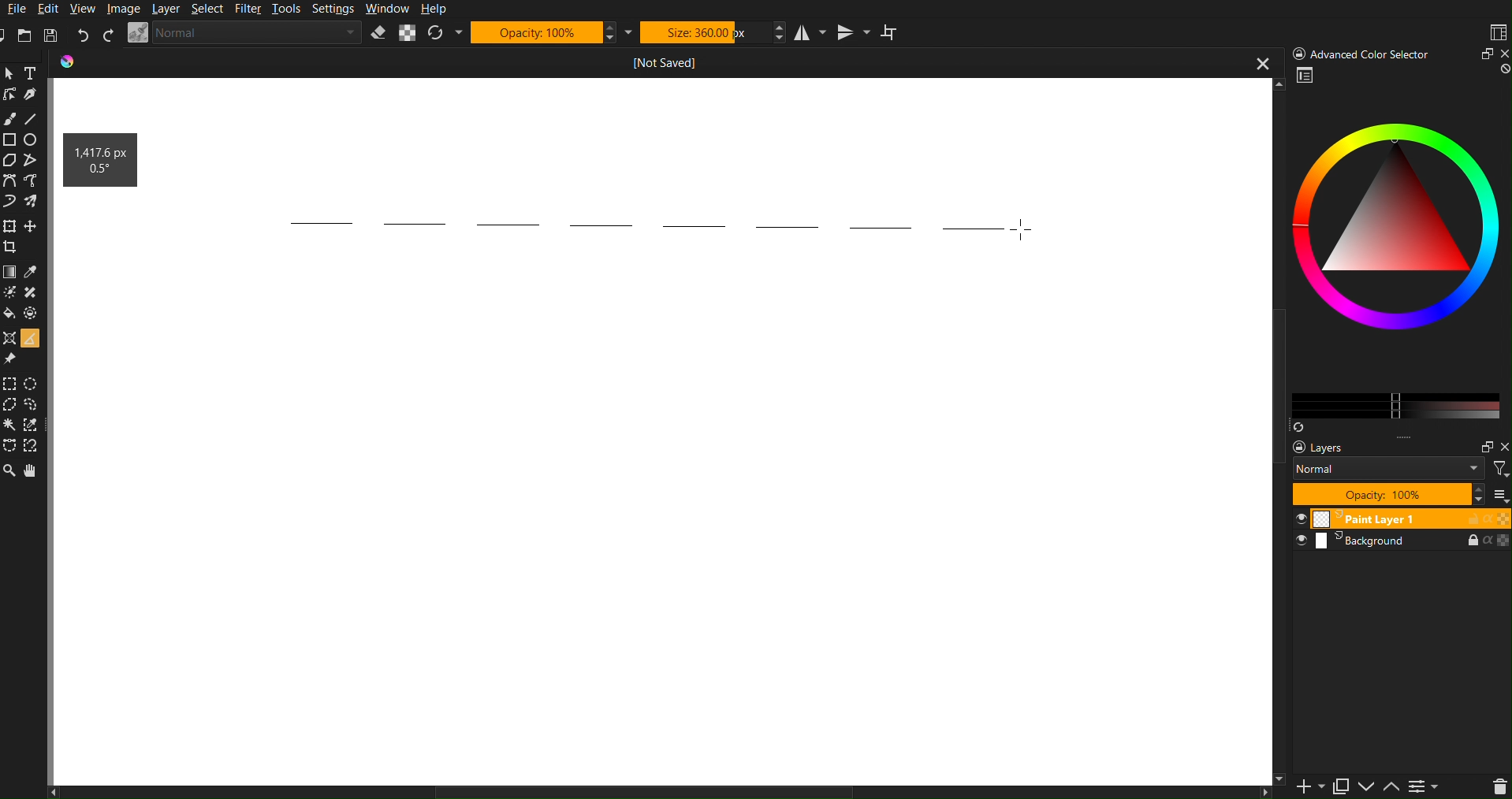 The image size is (1512, 799). Describe the element at coordinates (892, 32) in the screenshot. I see `Wrap Around` at that location.